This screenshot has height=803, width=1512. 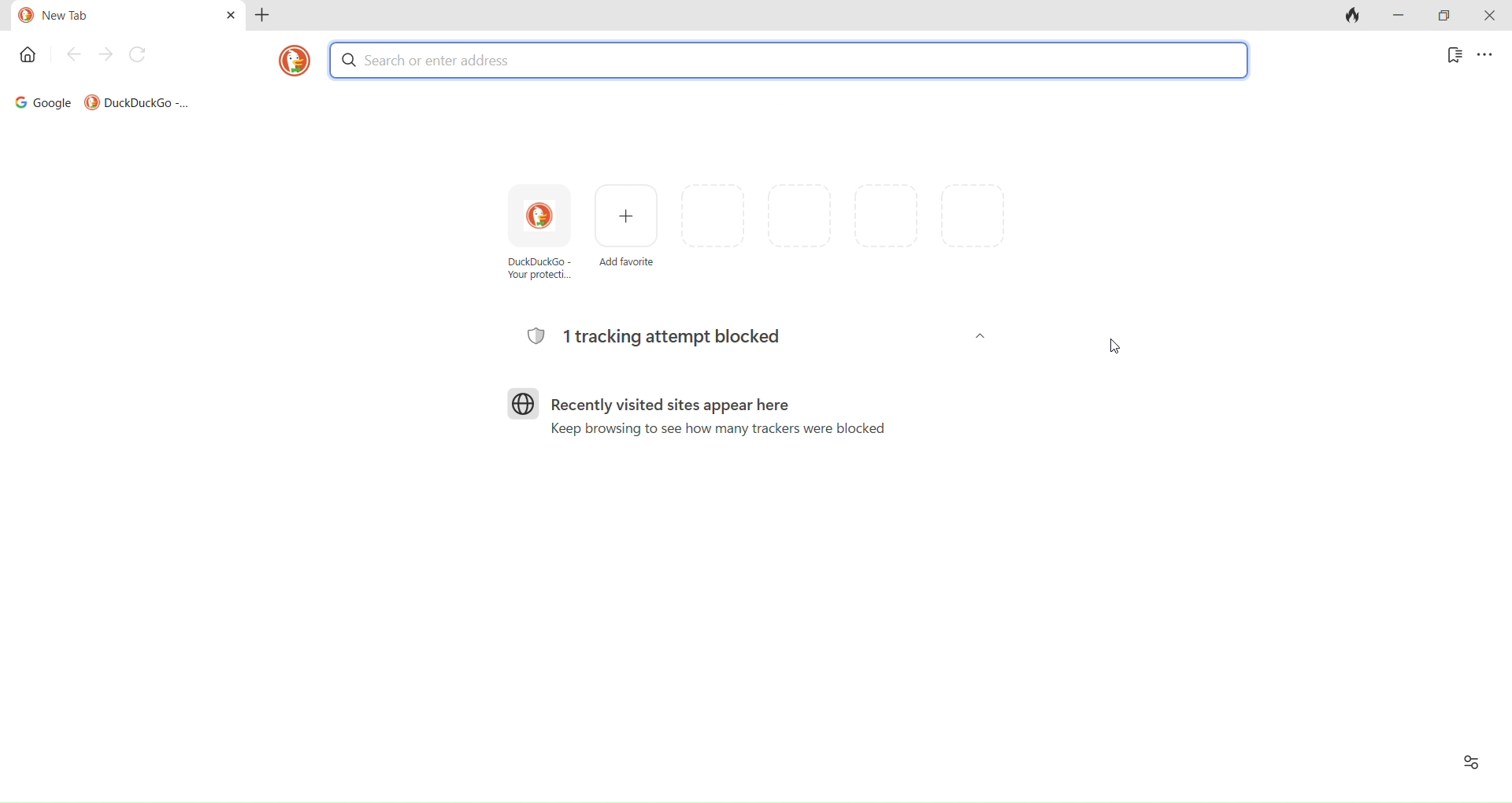 What do you see at coordinates (1488, 17) in the screenshot?
I see `close` at bounding box center [1488, 17].